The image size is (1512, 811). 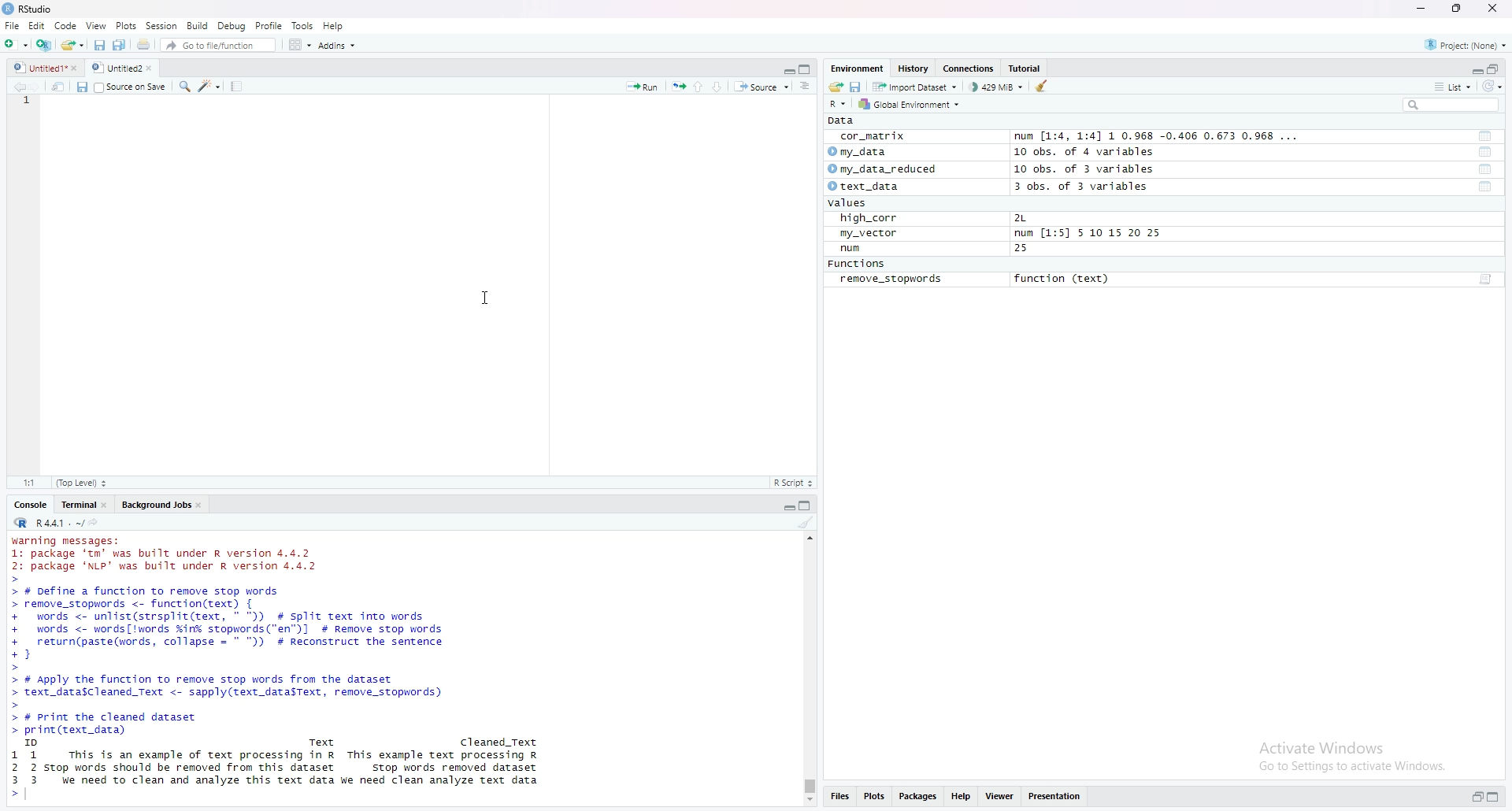 I want to click on Data, so click(x=843, y=120).